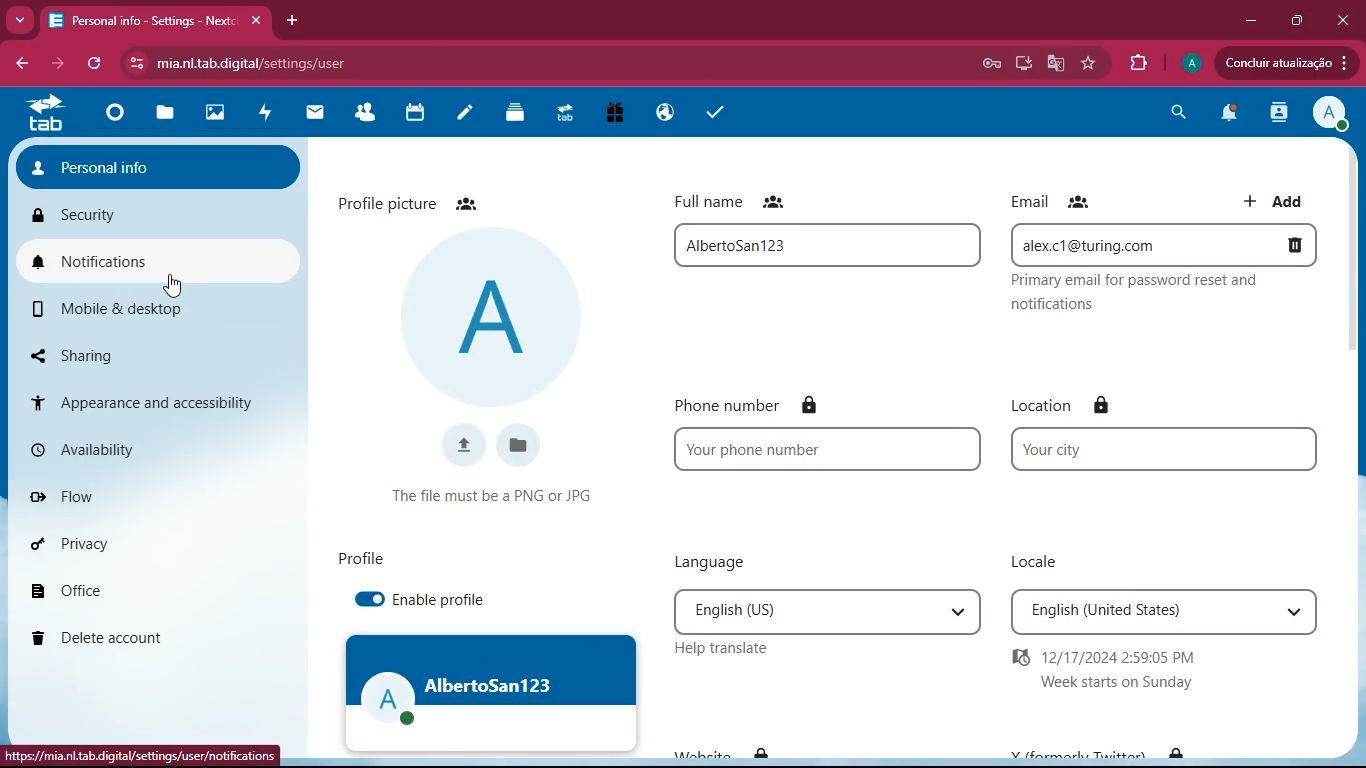  I want to click on gift, so click(609, 115).